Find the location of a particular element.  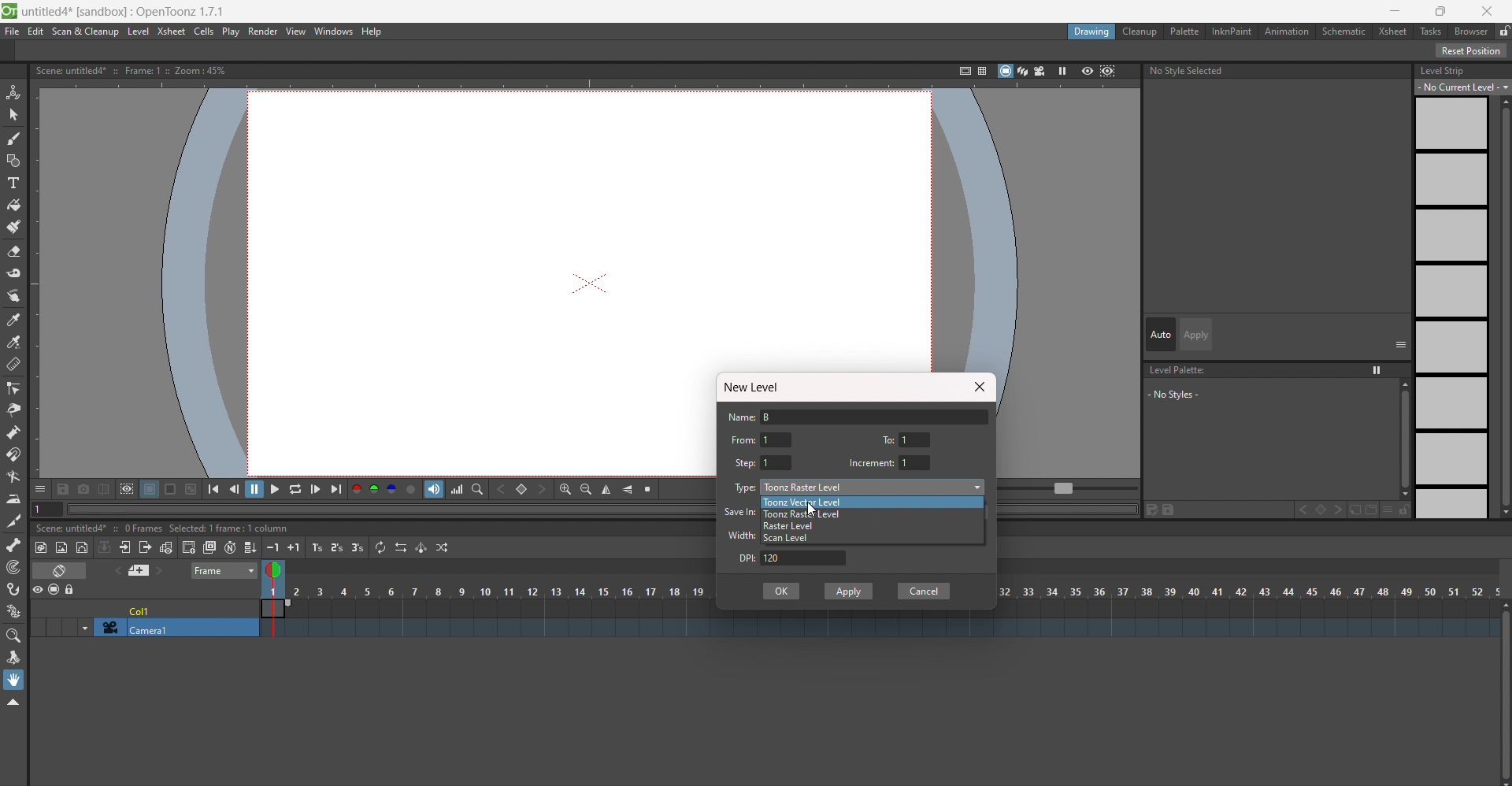

windows is located at coordinates (335, 32).